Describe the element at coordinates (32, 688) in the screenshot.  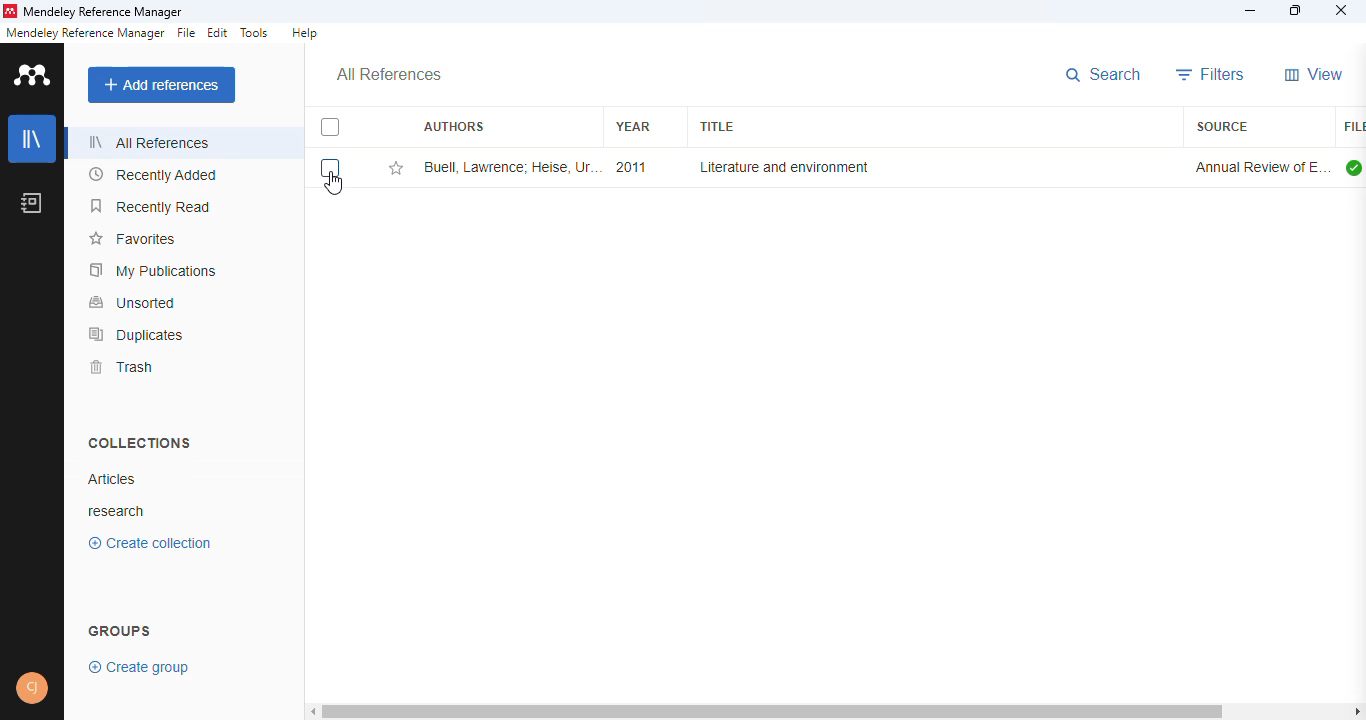
I see `profile` at that location.